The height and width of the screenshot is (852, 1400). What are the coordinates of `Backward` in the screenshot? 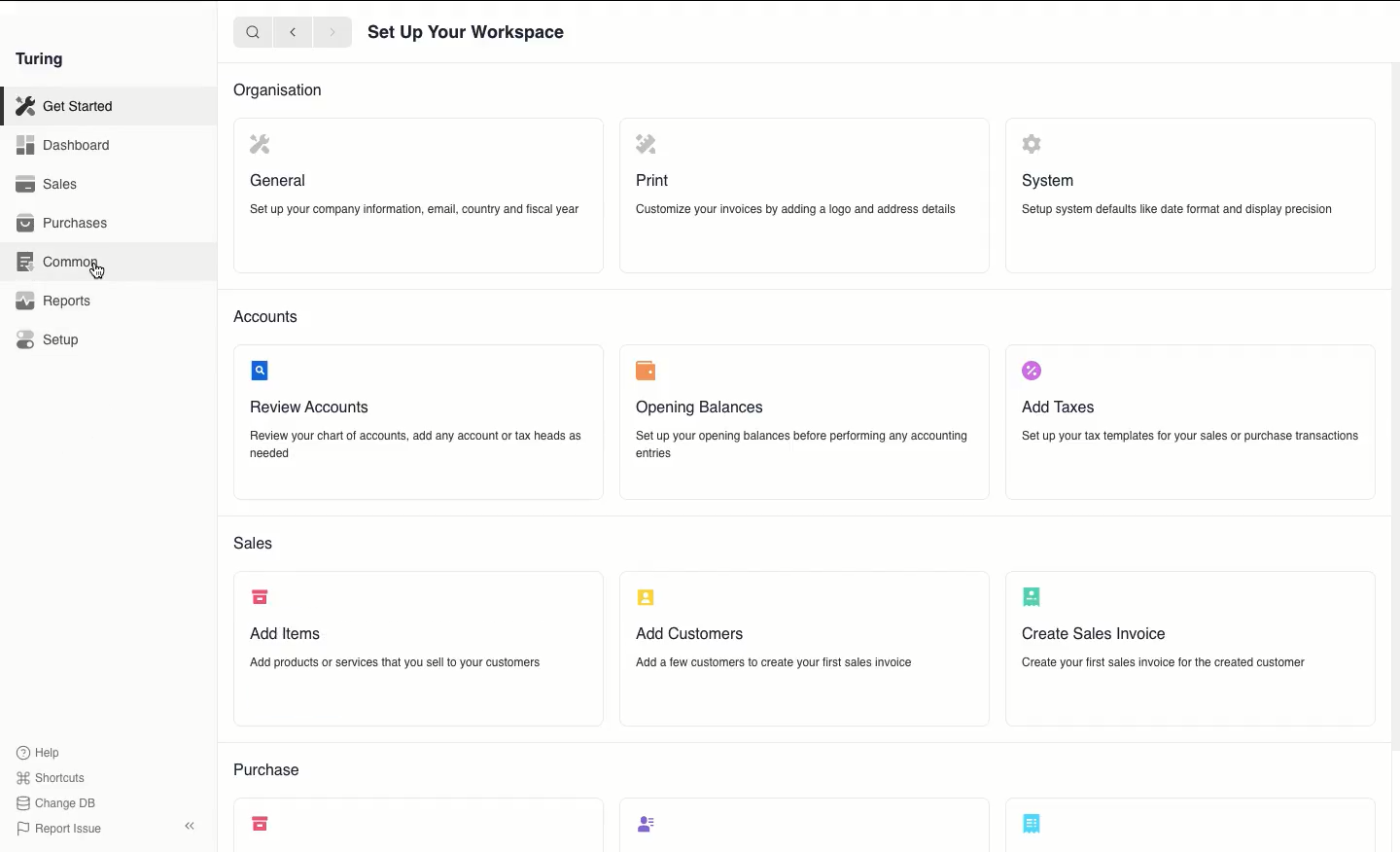 It's located at (293, 31).